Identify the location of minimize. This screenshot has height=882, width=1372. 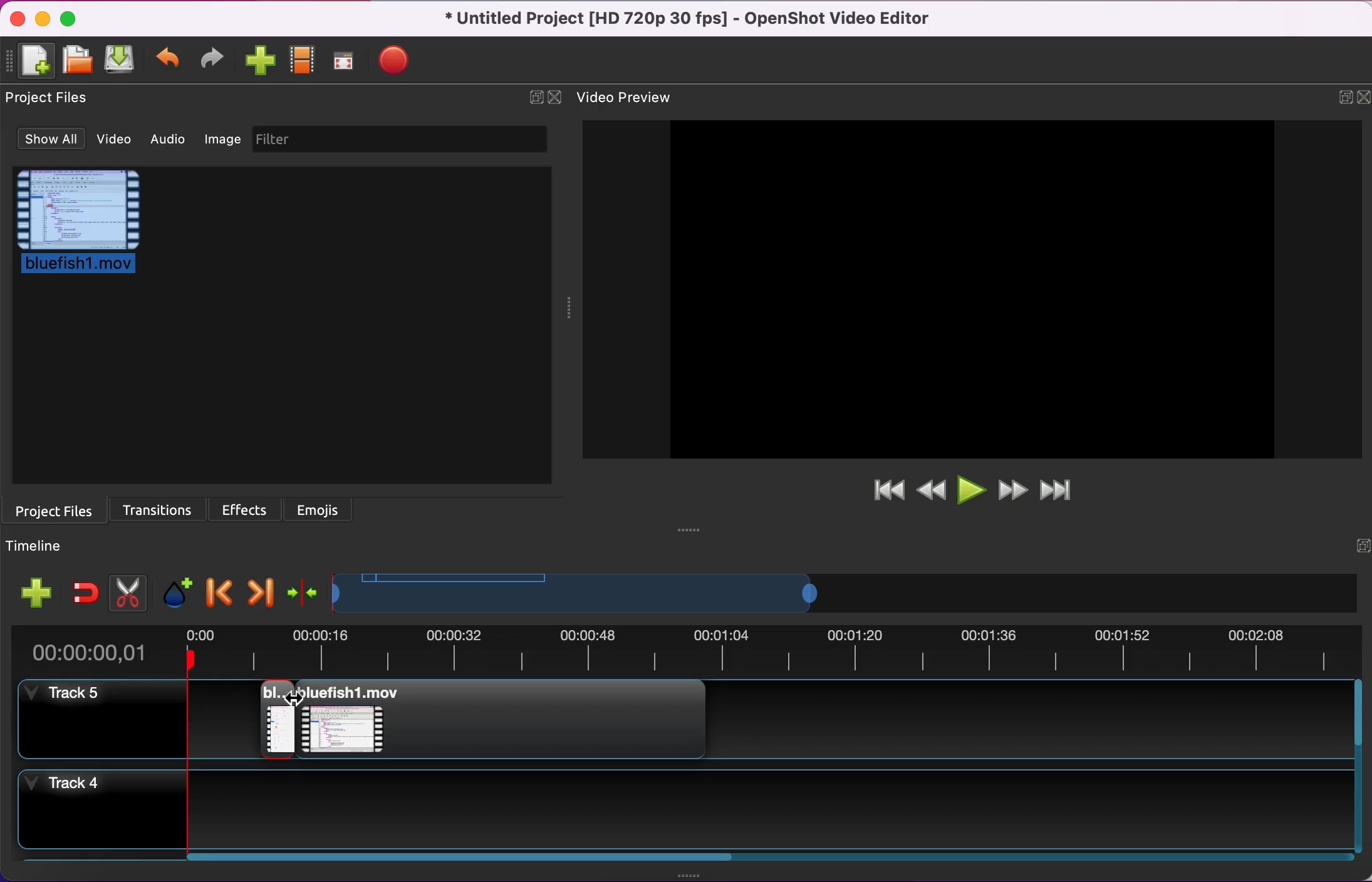
(44, 19).